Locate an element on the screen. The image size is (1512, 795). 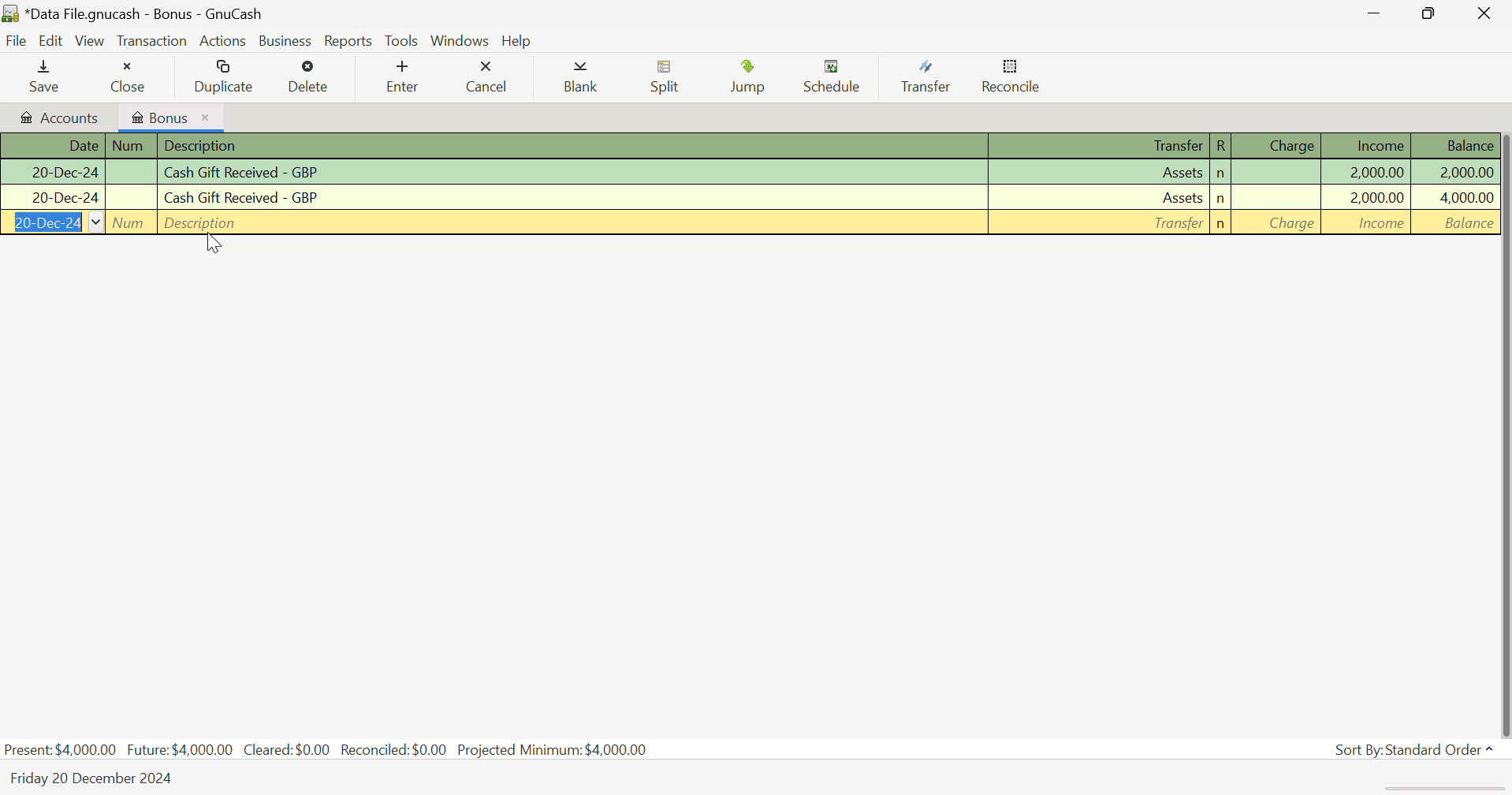
File is located at coordinates (15, 40).